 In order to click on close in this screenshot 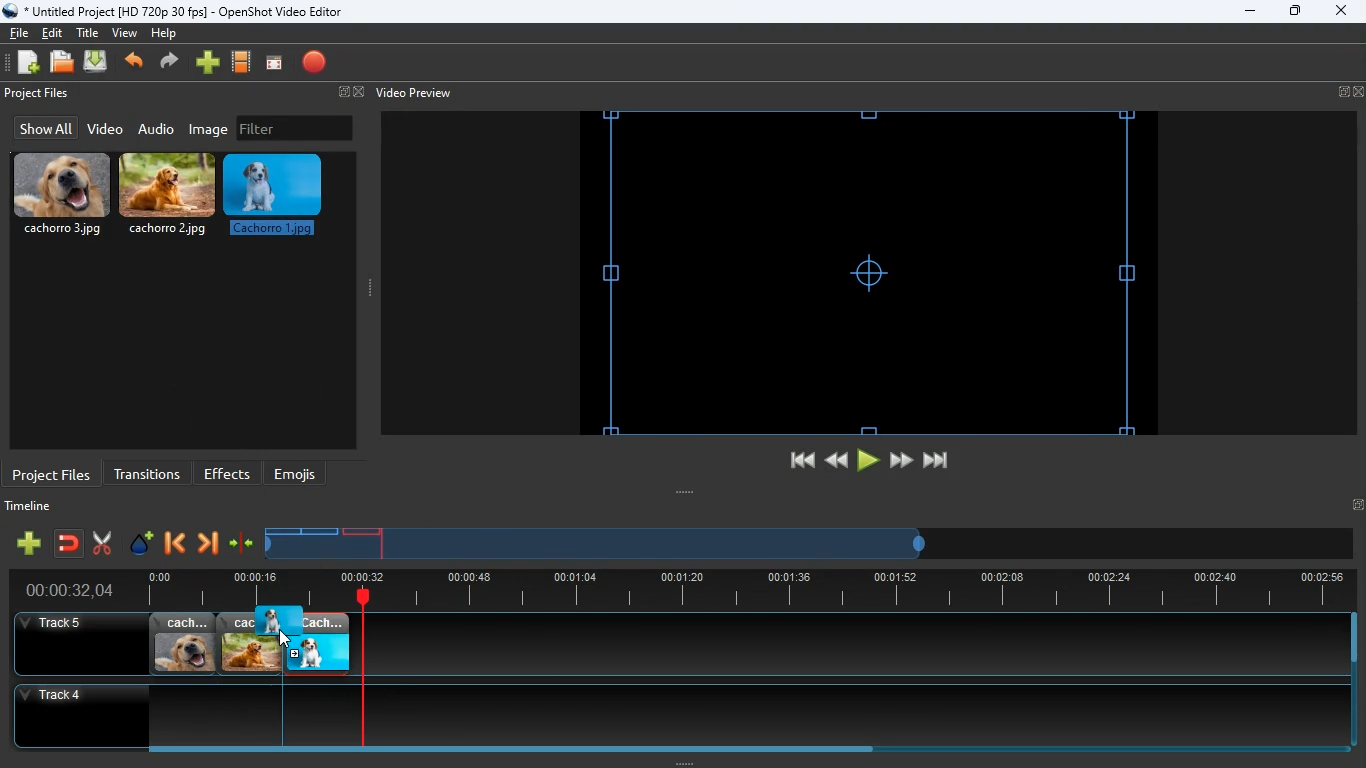, I will do `click(1340, 12)`.